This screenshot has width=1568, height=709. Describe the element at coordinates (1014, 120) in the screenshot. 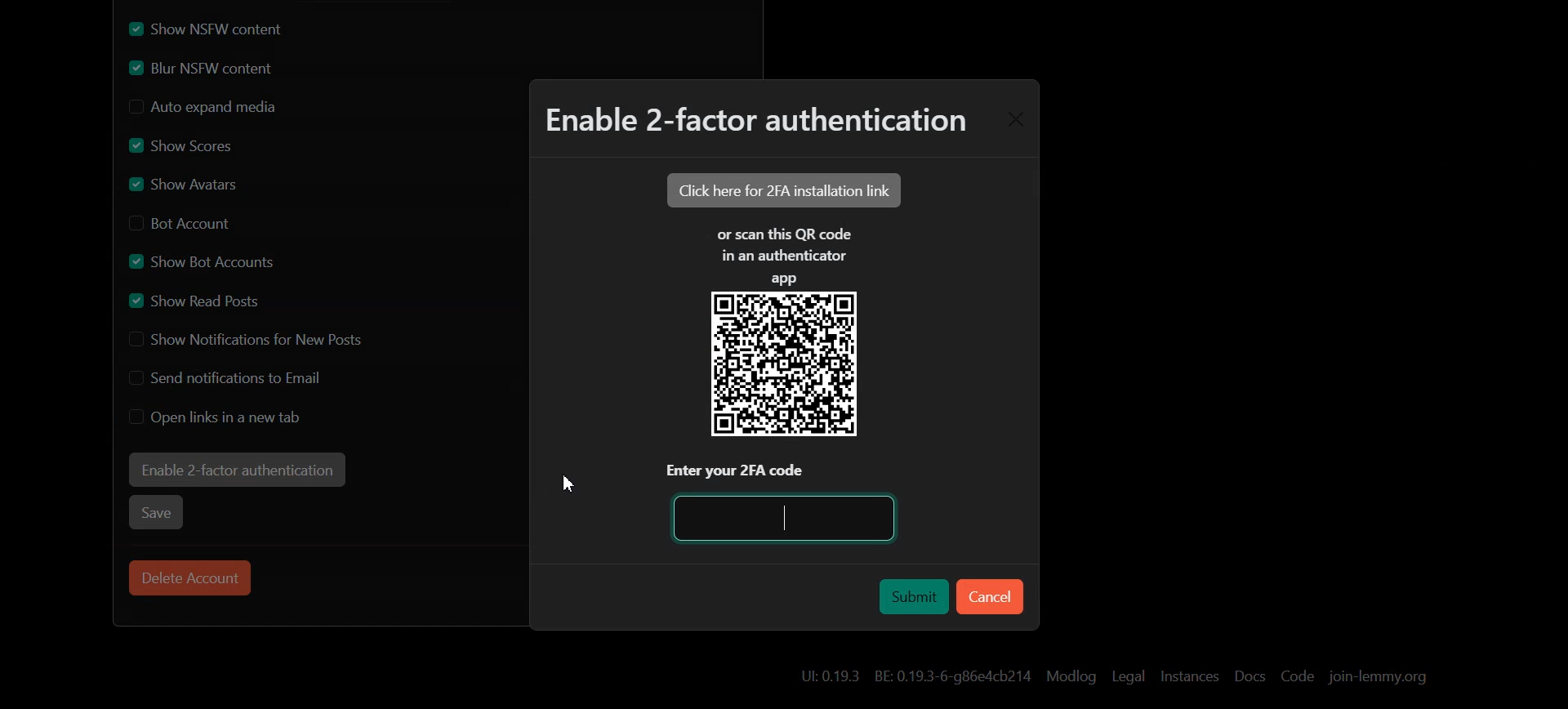

I see `Close` at that location.